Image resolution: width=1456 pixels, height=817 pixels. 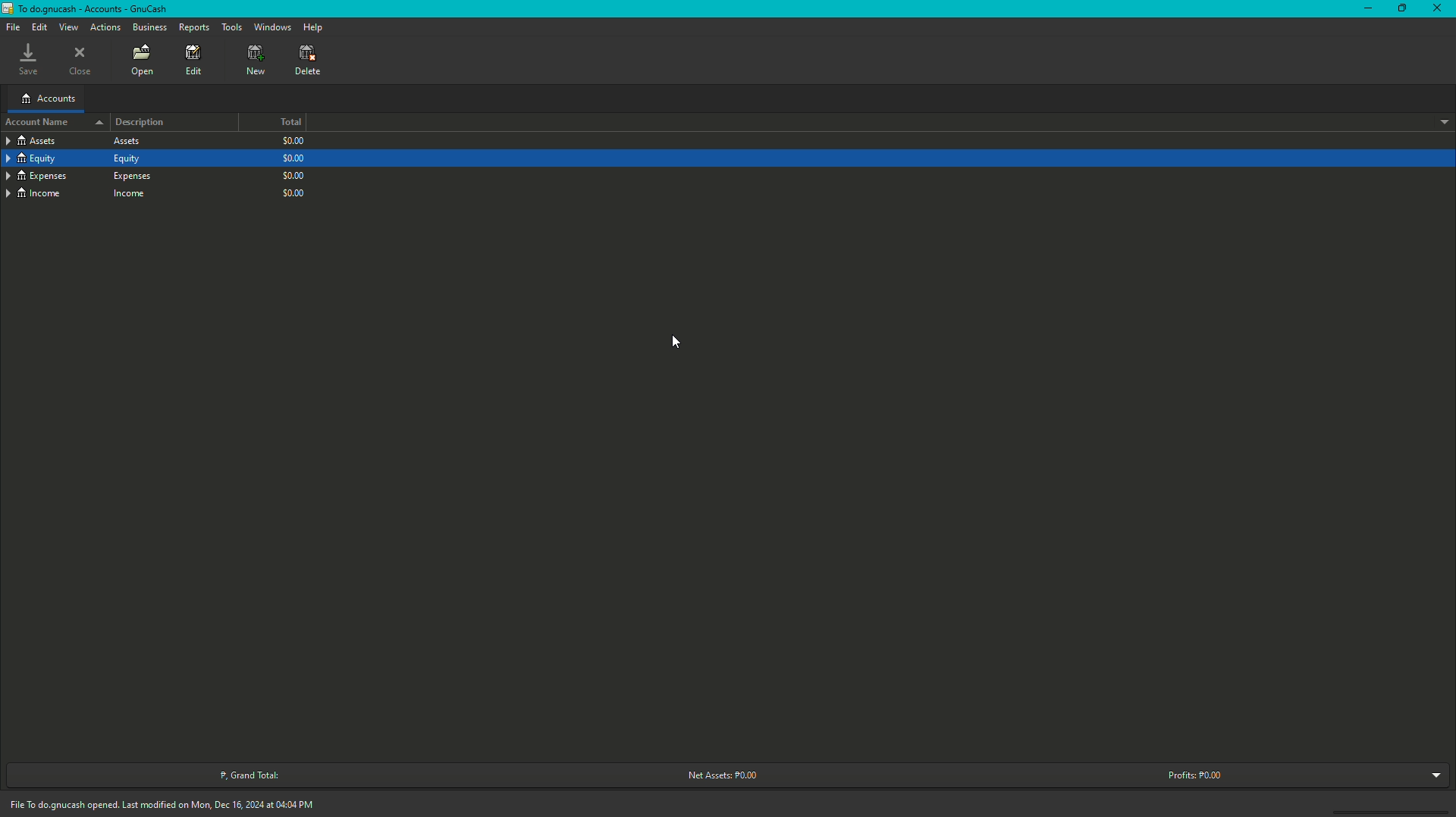 I want to click on Minimize, so click(x=1363, y=9).